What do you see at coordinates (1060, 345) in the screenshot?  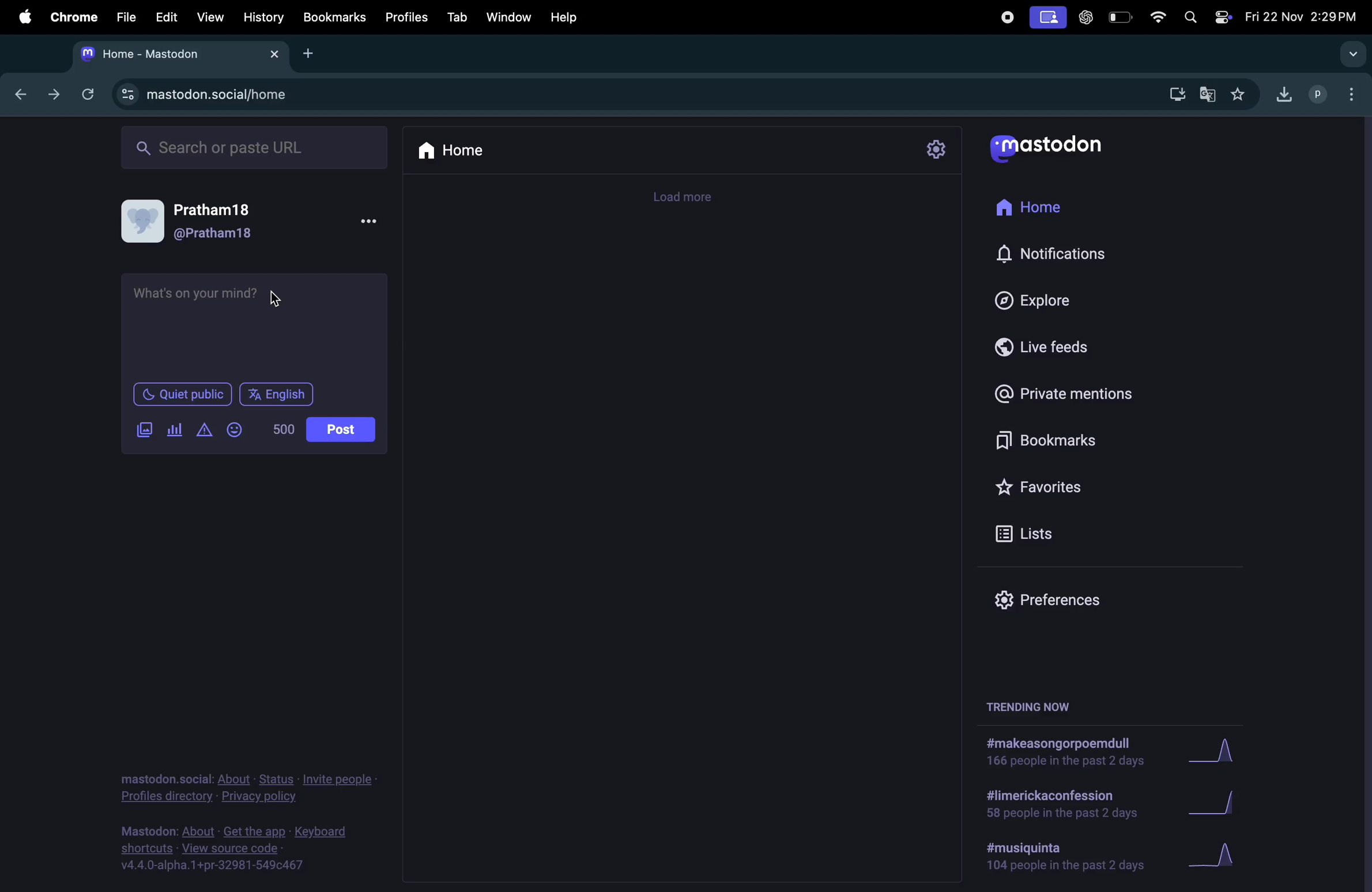 I see `live feed` at bounding box center [1060, 345].